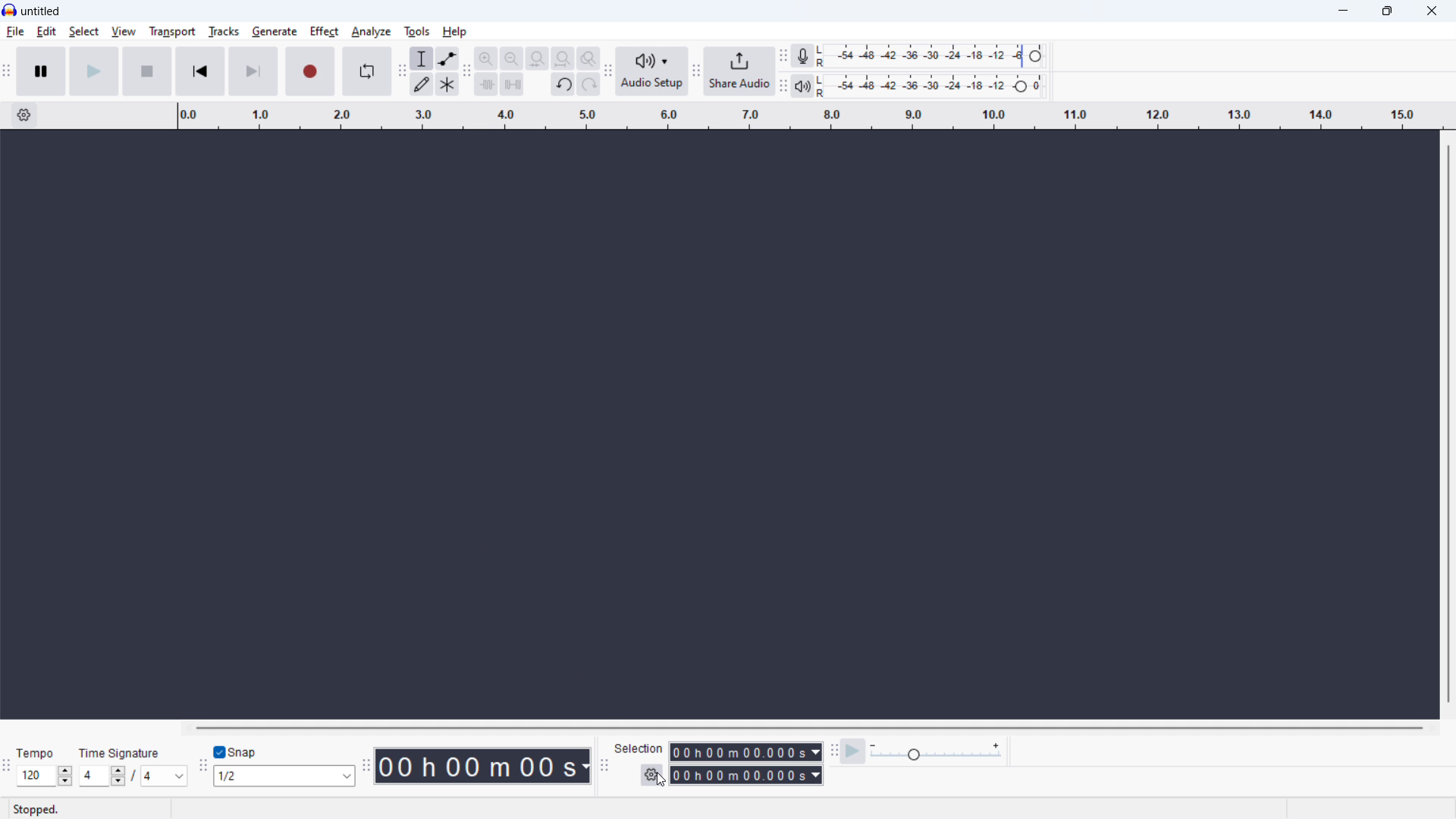 The image size is (1456, 819). I want to click on stop, so click(147, 71).